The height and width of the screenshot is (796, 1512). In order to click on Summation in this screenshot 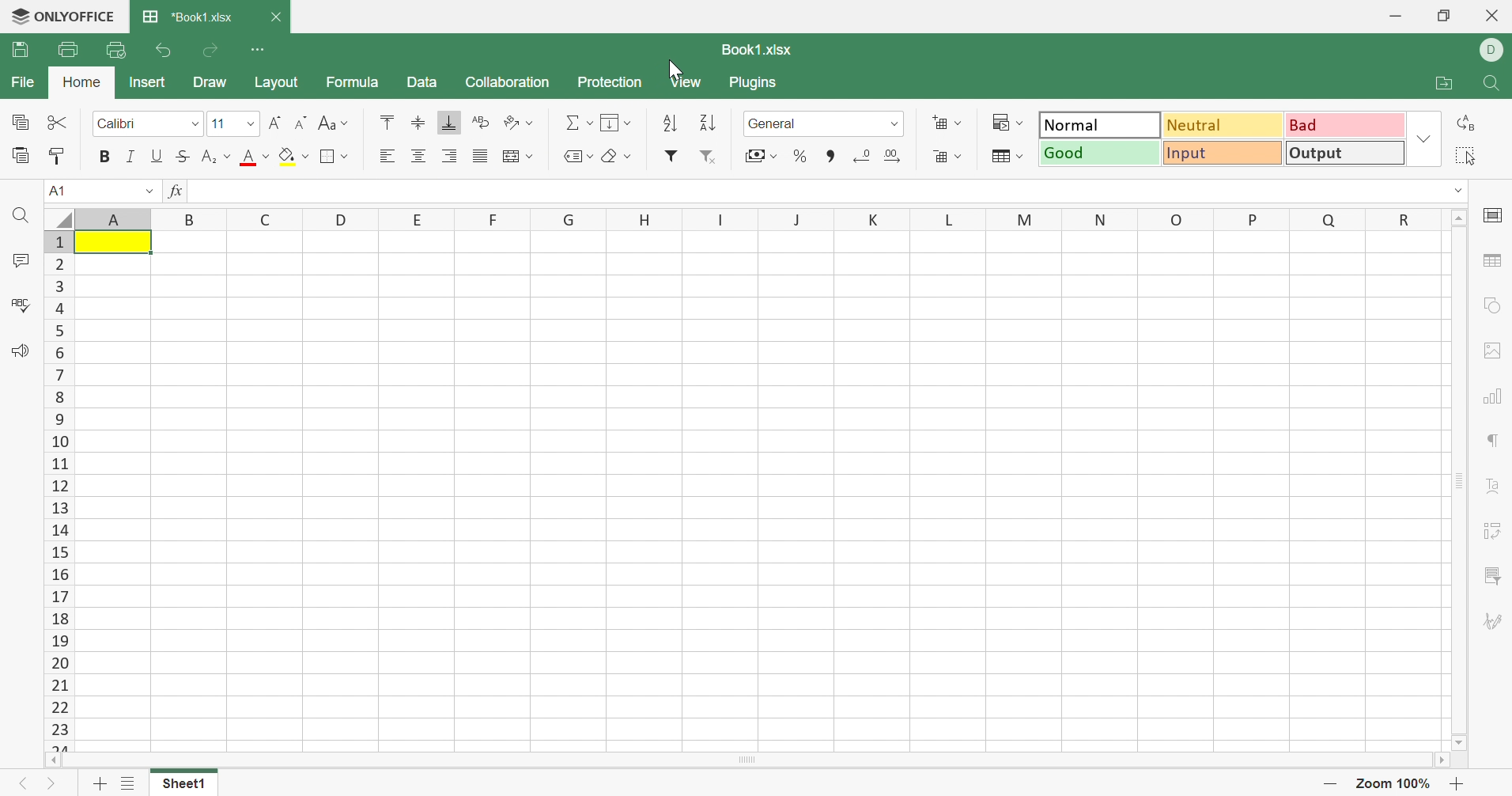, I will do `click(576, 123)`.